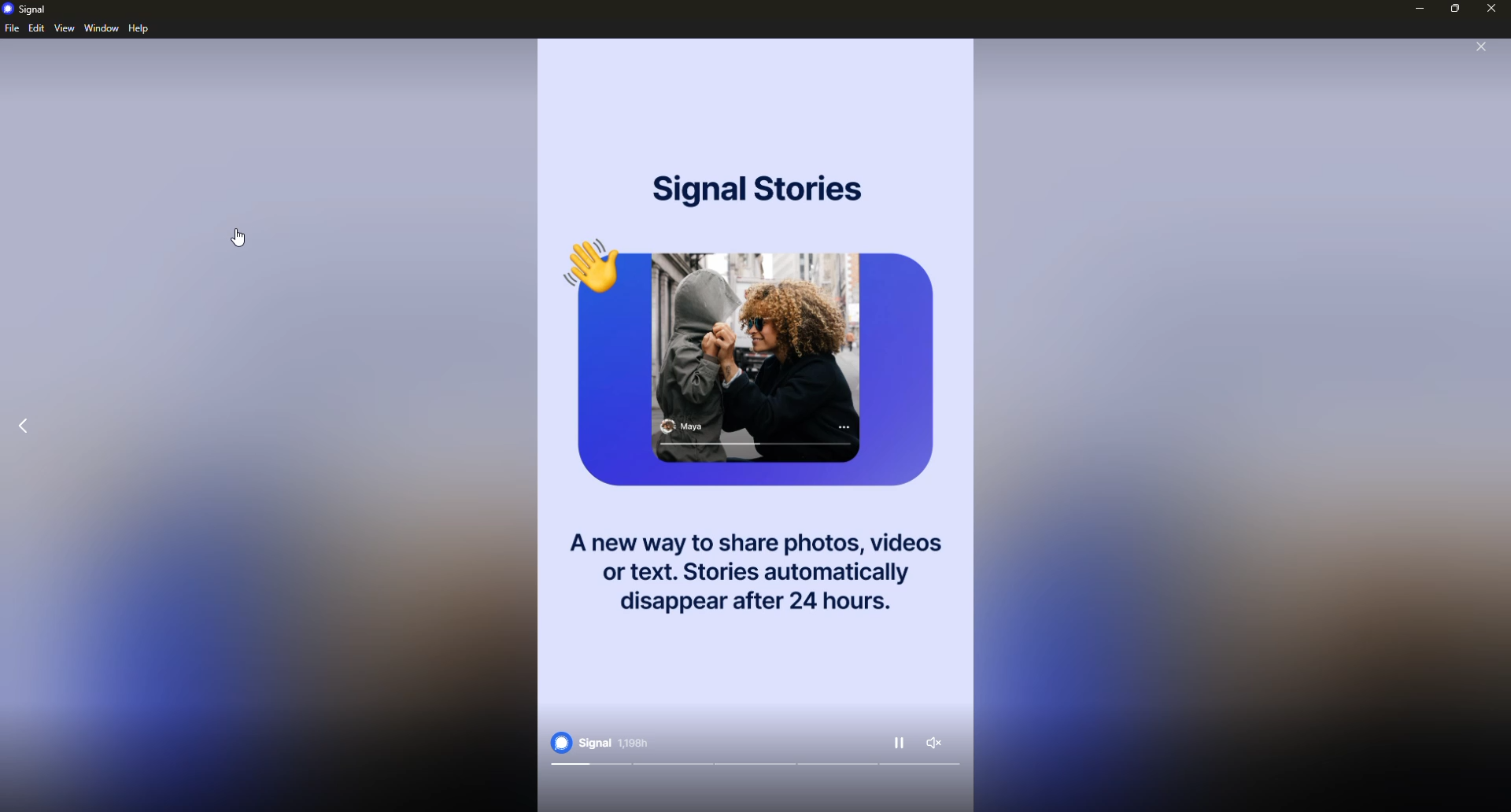 This screenshot has height=812, width=1511. Describe the element at coordinates (580, 742) in the screenshot. I see `Signal` at that location.